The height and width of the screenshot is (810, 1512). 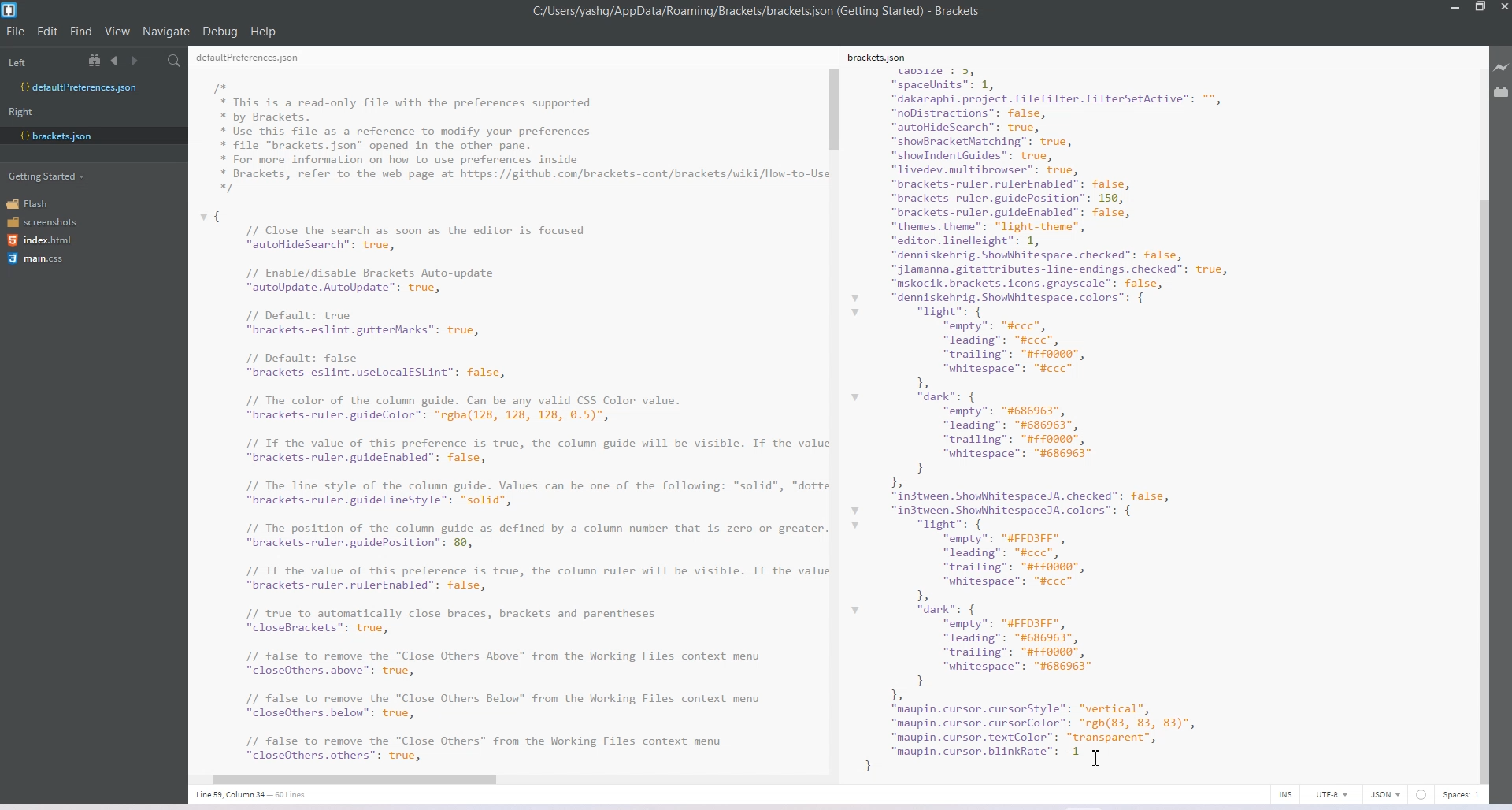 I want to click on Logo, so click(x=11, y=10).